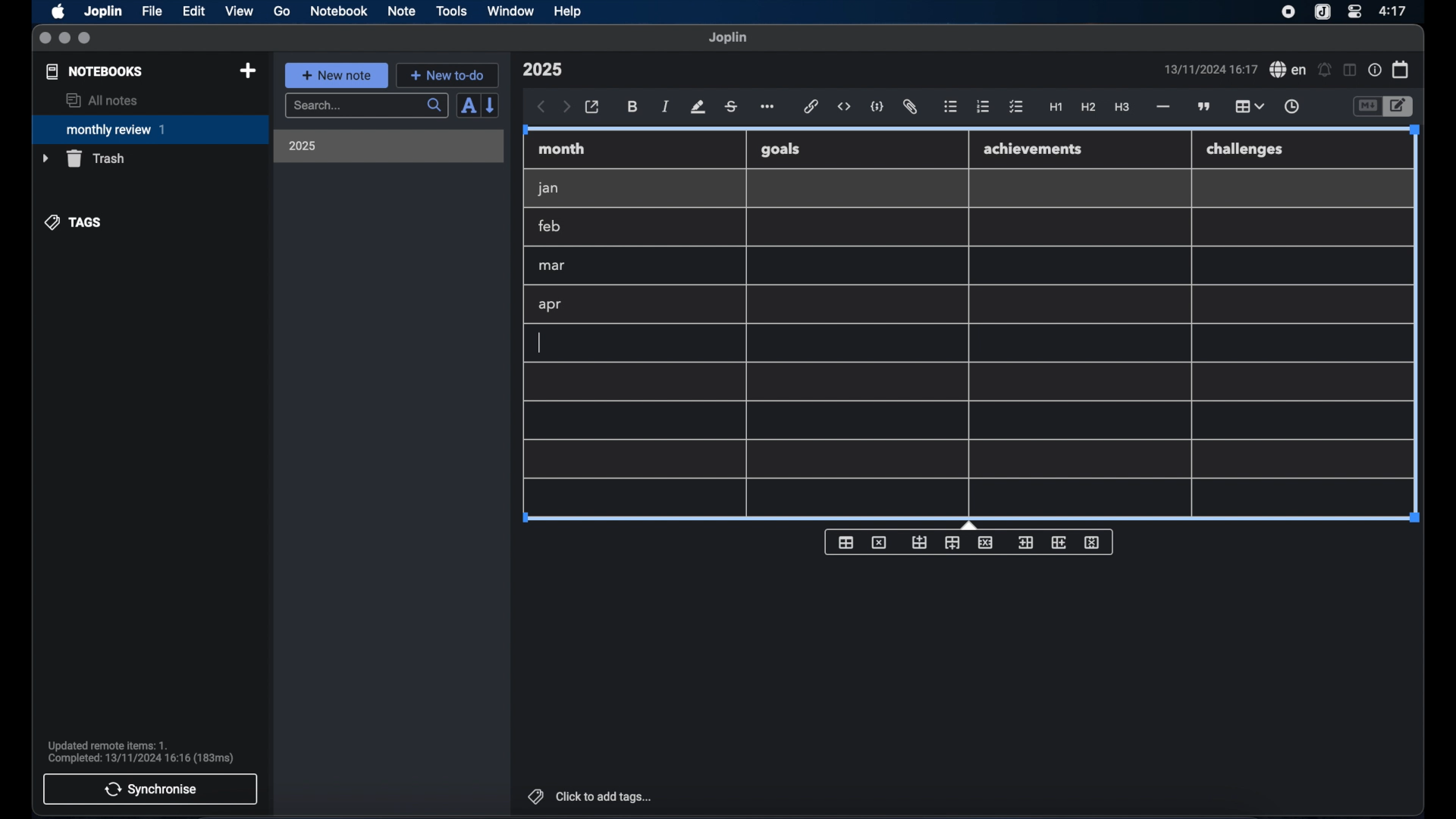 This screenshot has height=819, width=1456. I want to click on heading 3, so click(1122, 108).